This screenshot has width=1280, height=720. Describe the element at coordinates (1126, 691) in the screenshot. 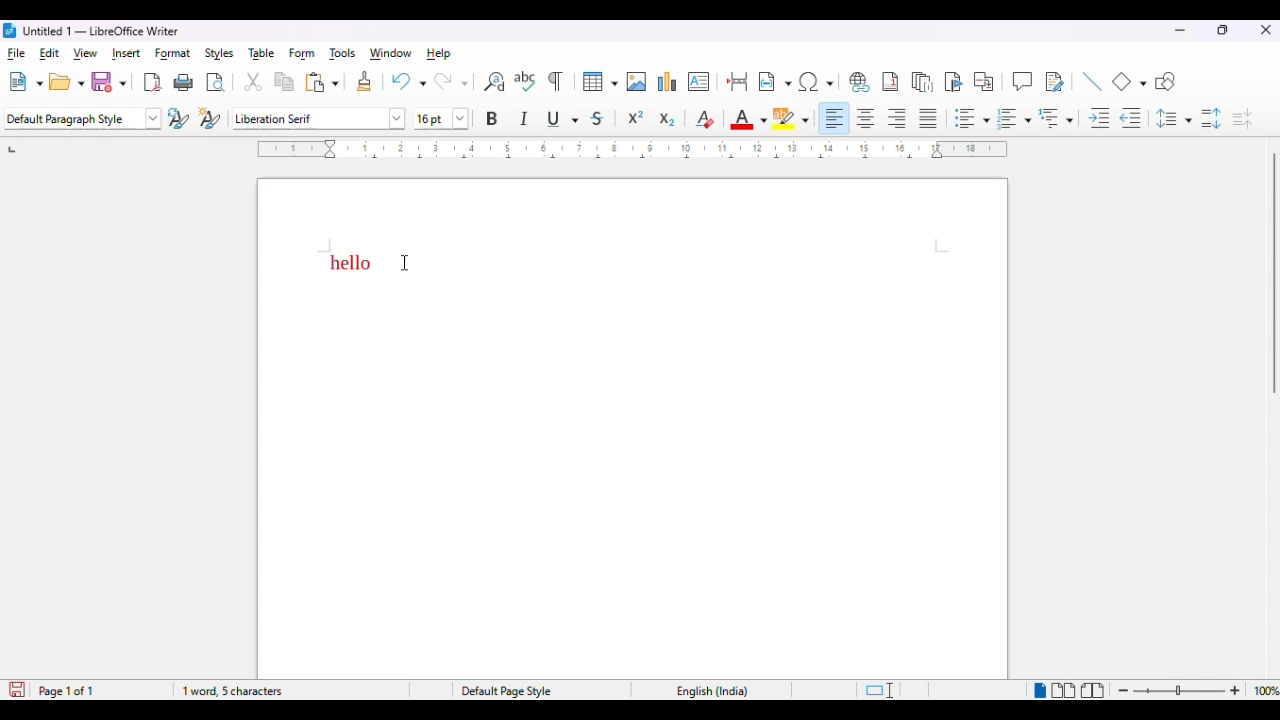

I see `zoom out` at that location.